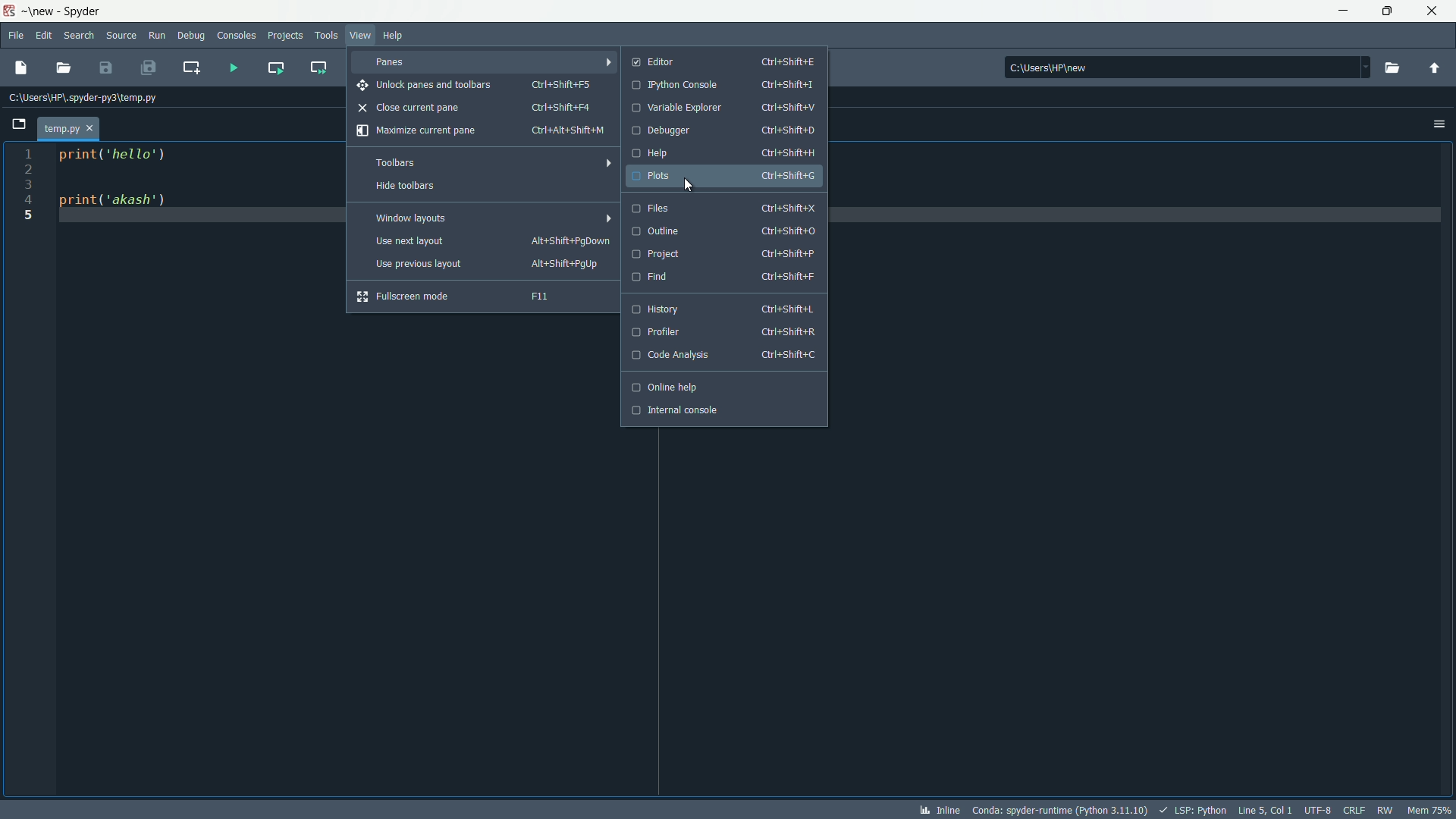 The image size is (1456, 819). What do you see at coordinates (1438, 124) in the screenshot?
I see `options` at bounding box center [1438, 124].